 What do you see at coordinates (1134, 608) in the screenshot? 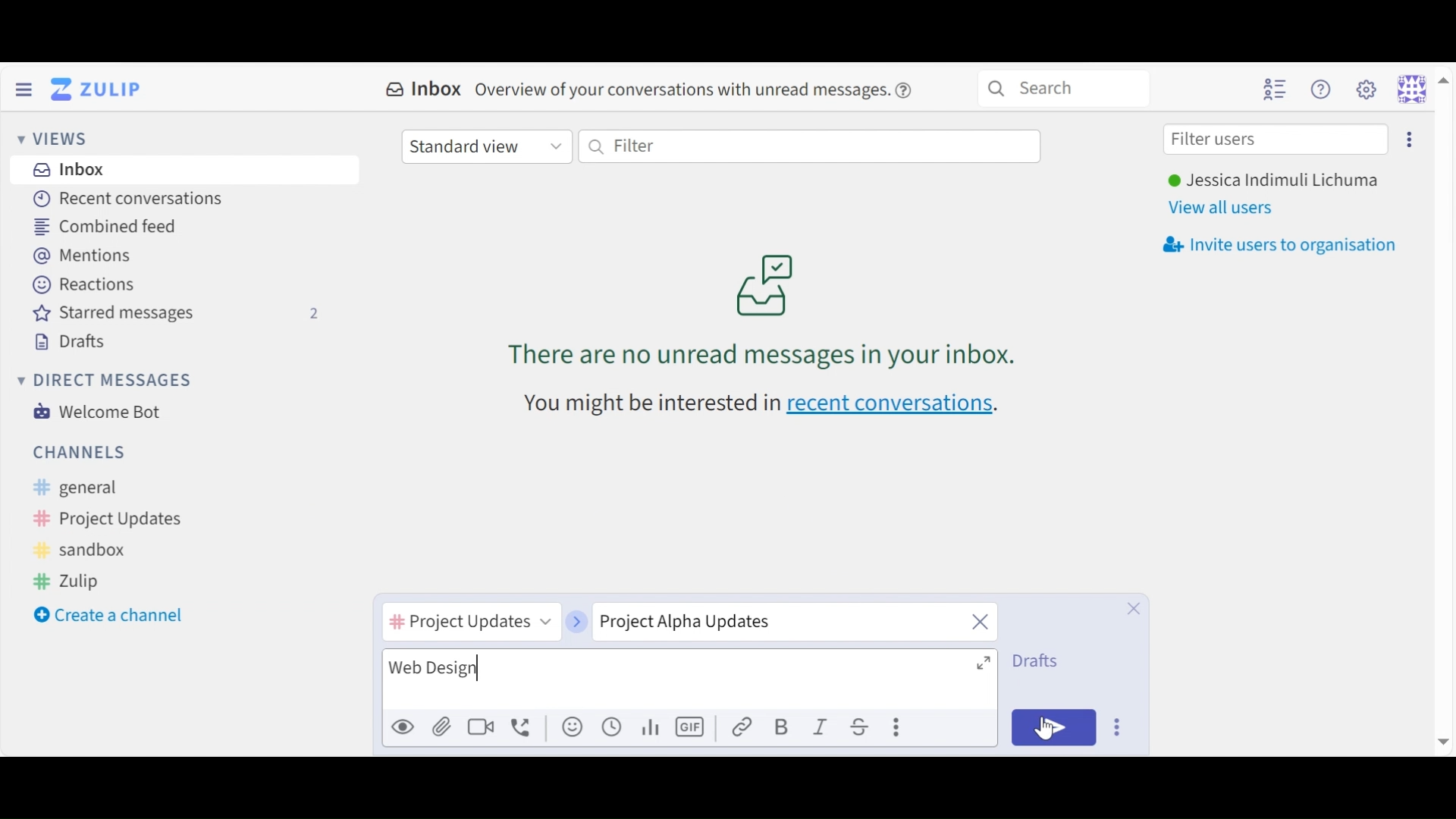
I see `Close` at bounding box center [1134, 608].